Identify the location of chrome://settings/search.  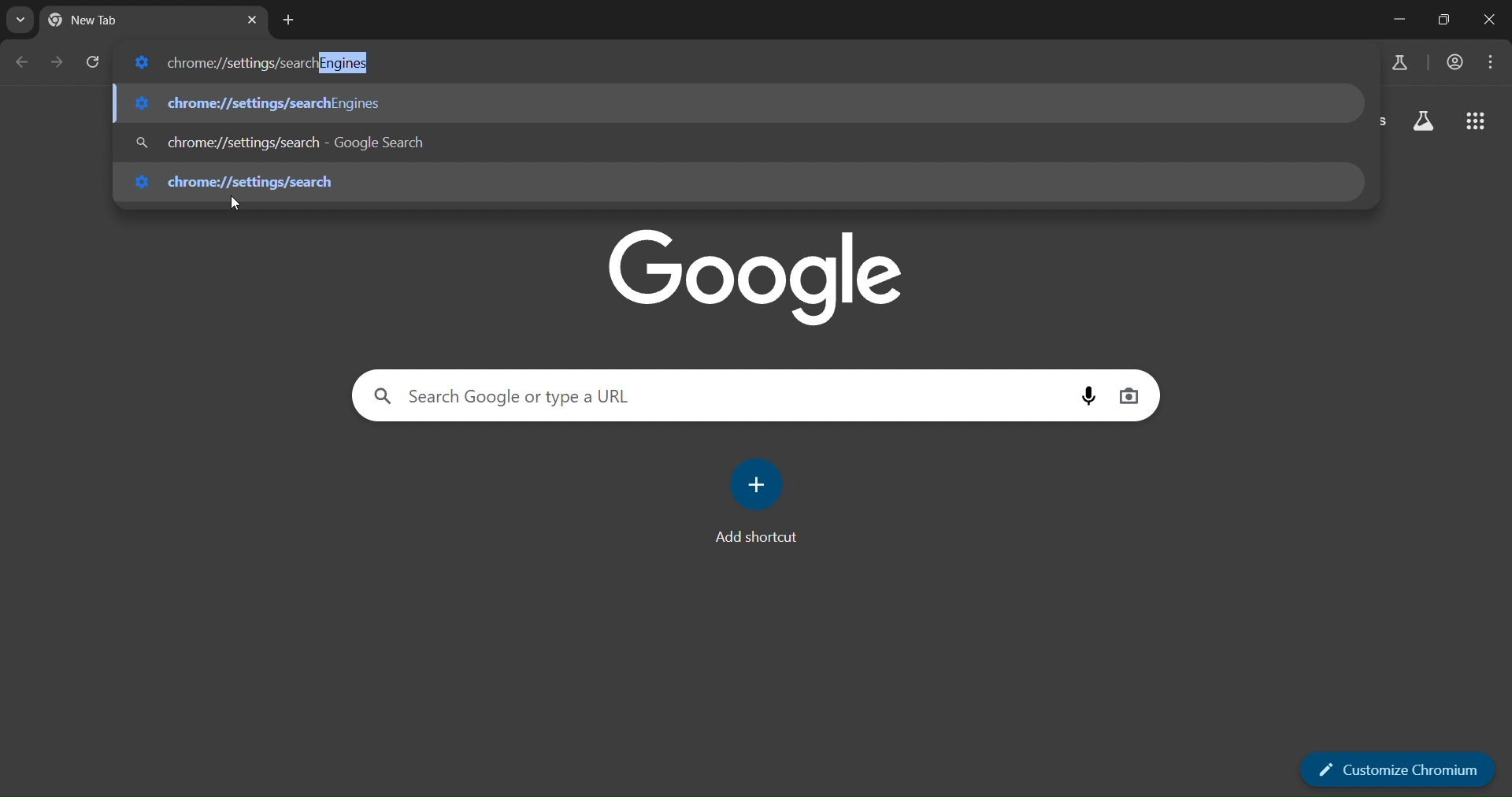
(245, 185).